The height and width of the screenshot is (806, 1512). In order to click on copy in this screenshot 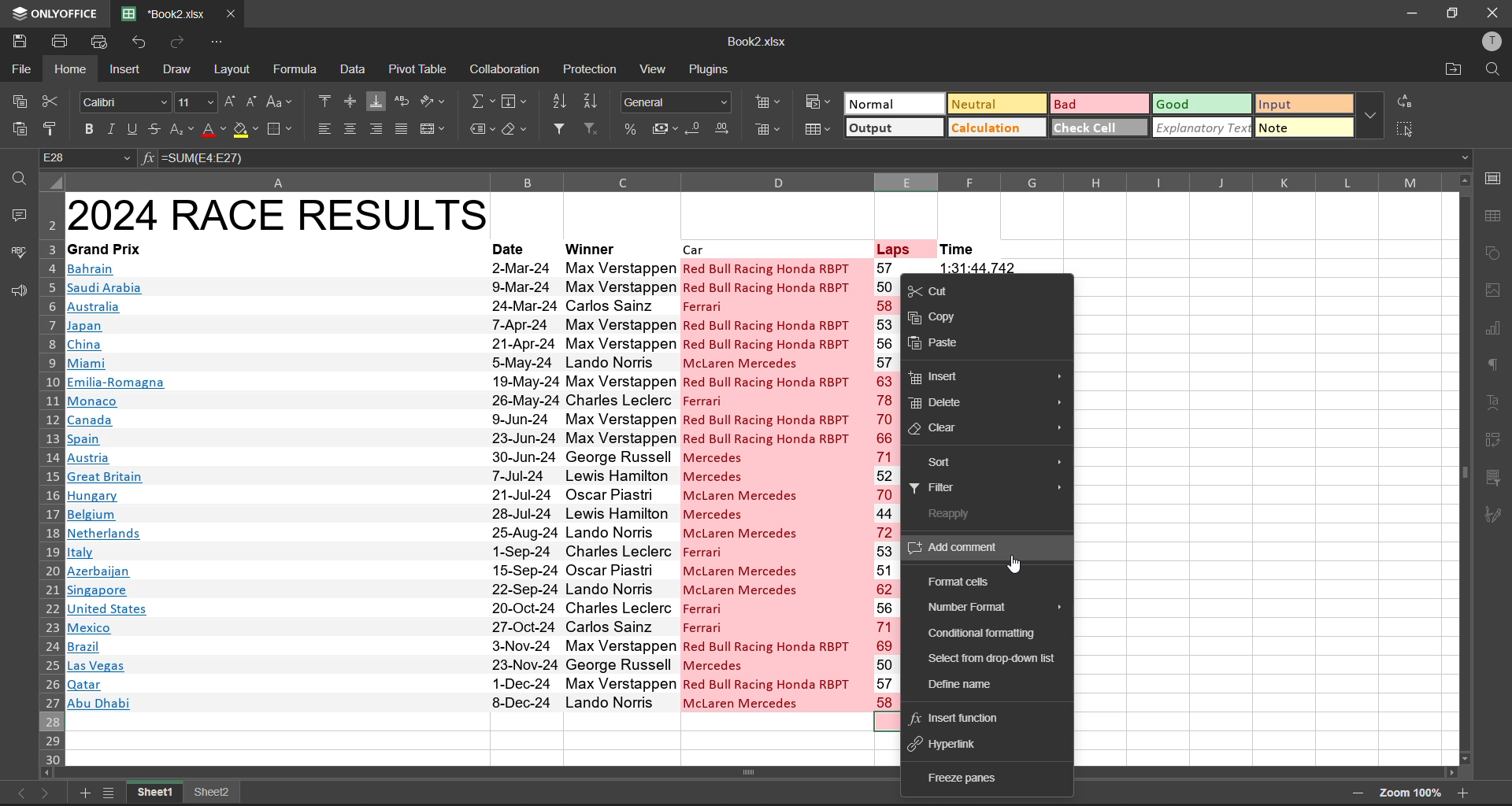, I will do `click(939, 317)`.